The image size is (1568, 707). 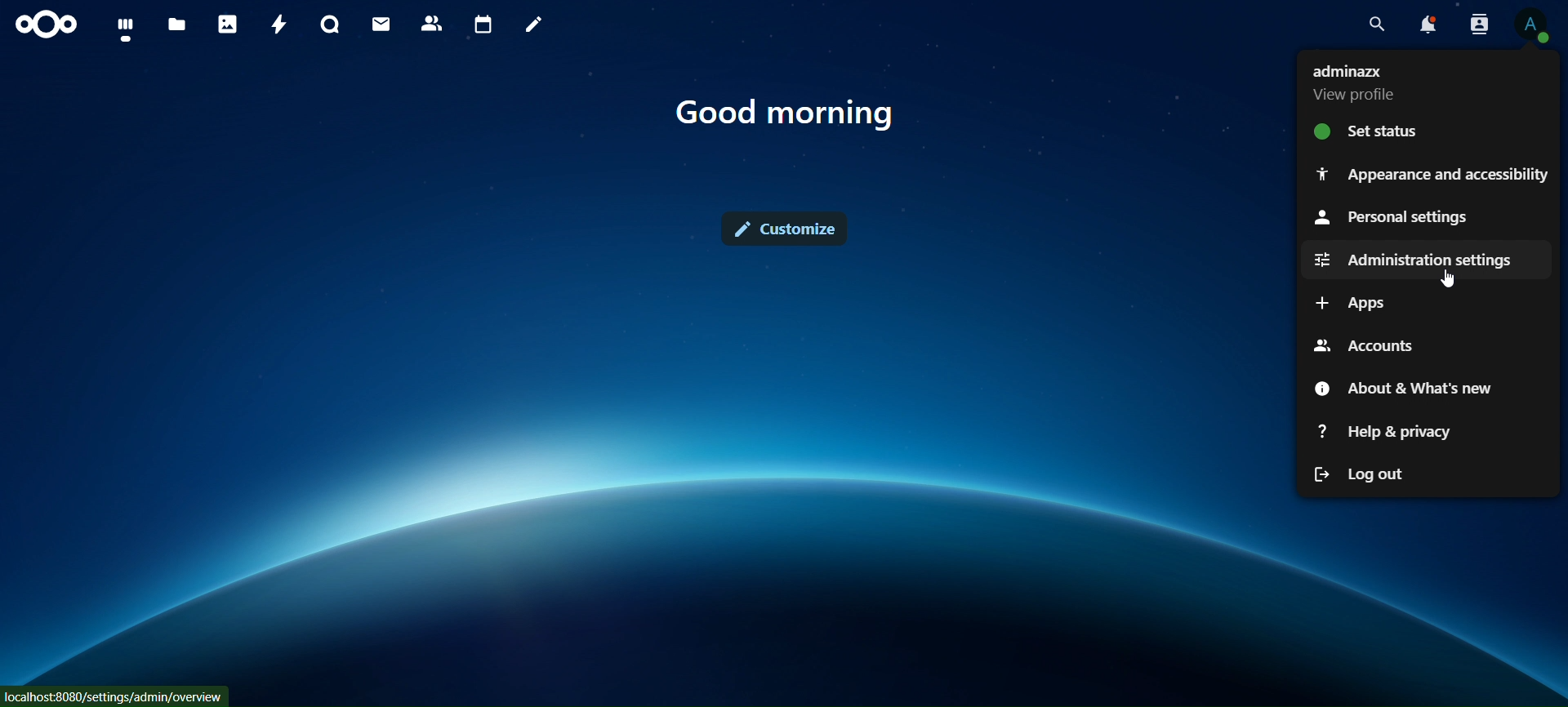 What do you see at coordinates (643, 468) in the screenshot?
I see `Interface Background` at bounding box center [643, 468].